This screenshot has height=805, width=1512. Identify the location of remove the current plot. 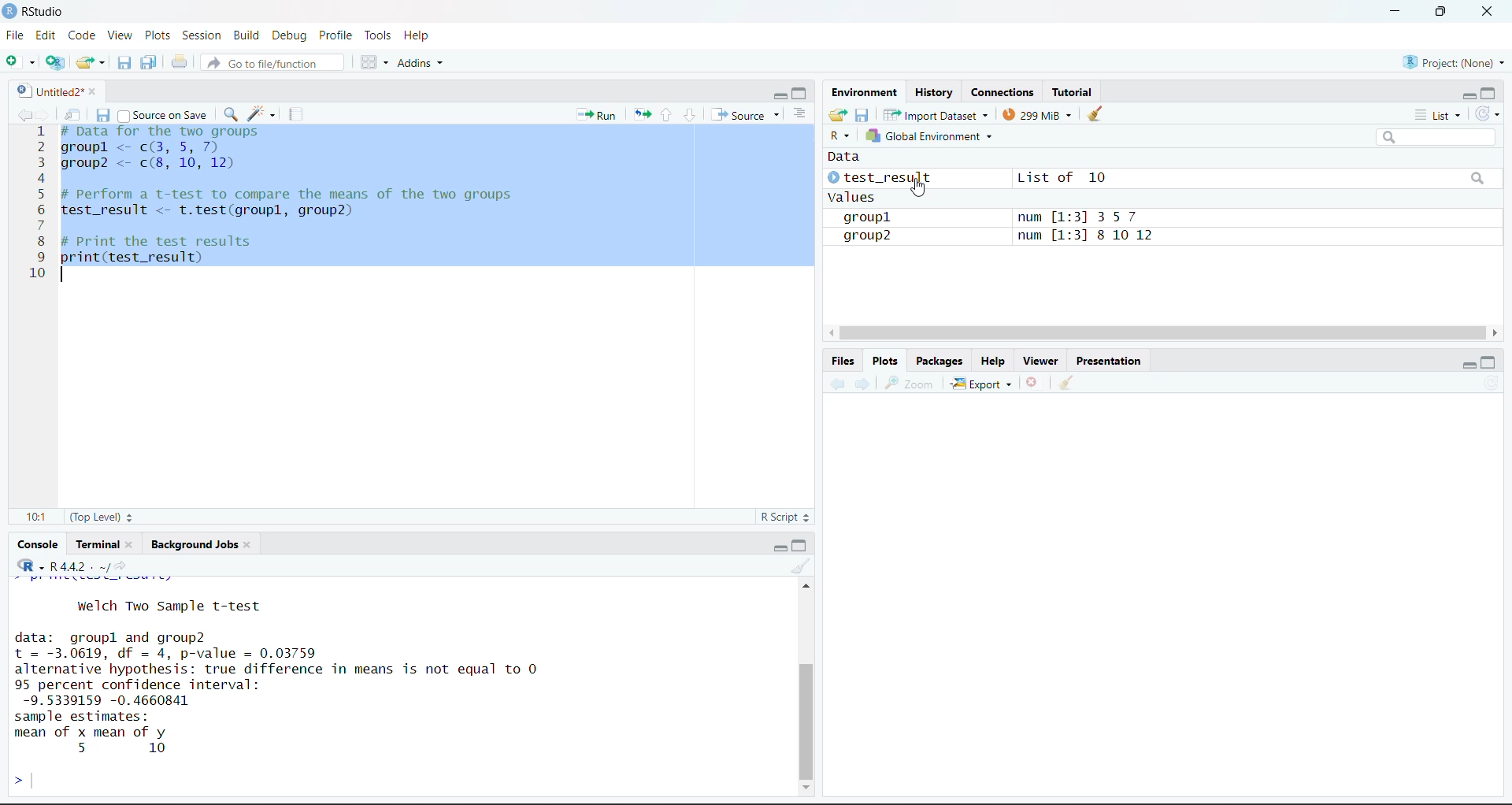
(1035, 381).